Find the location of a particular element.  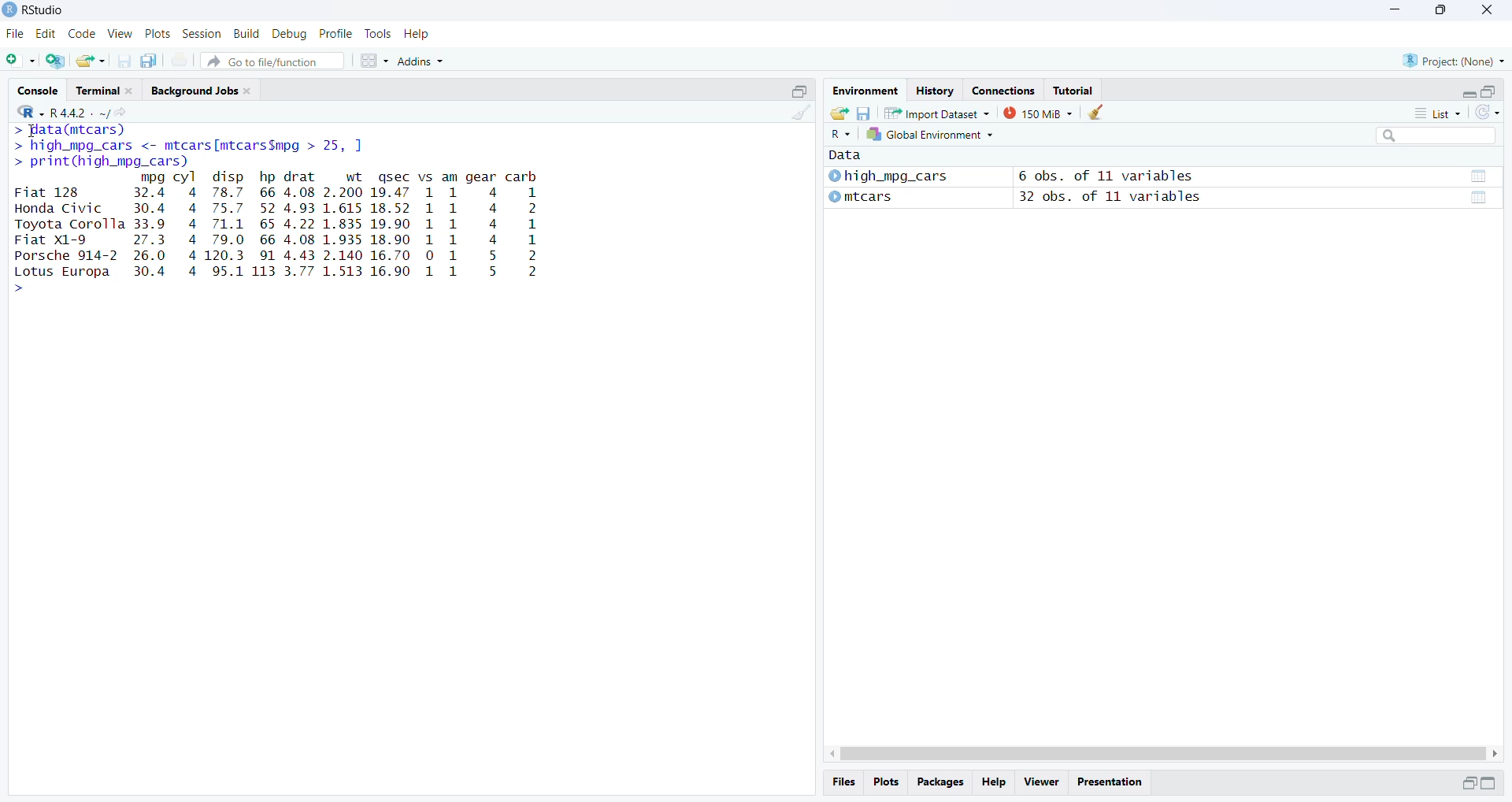

data is located at coordinates (1477, 176).